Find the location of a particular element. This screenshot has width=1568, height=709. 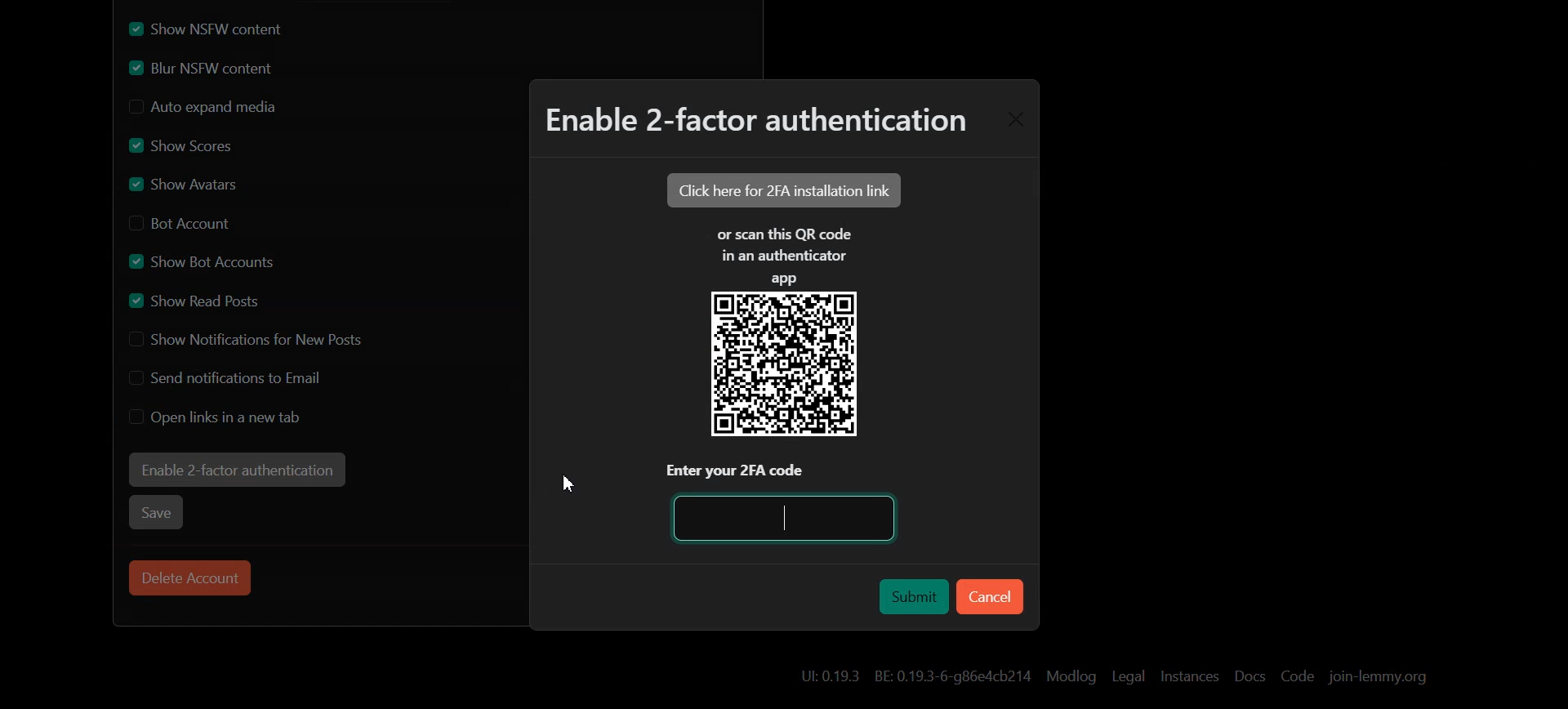

2FA code is located at coordinates (788, 517).